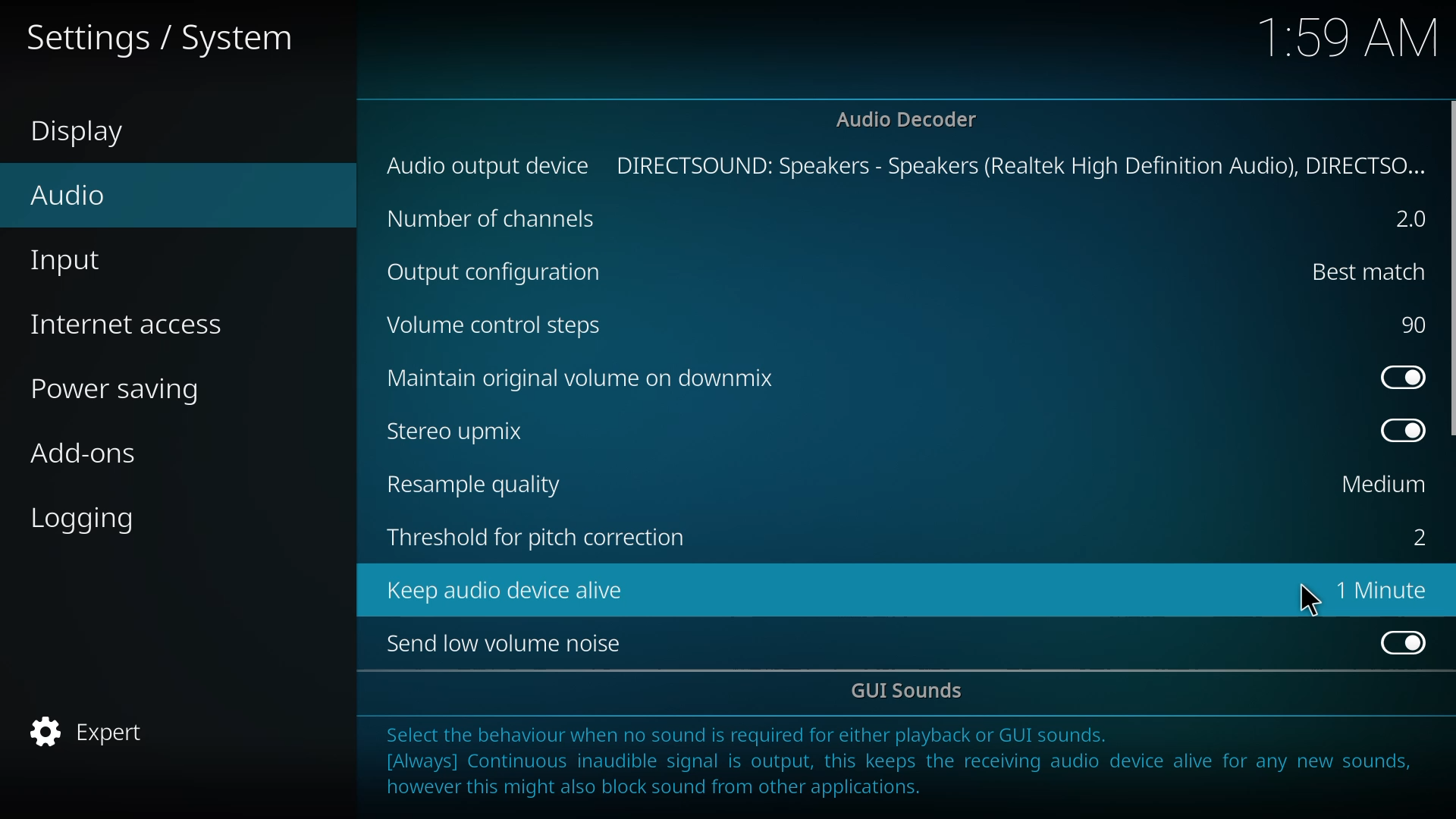  I want to click on output configuration, so click(499, 272).